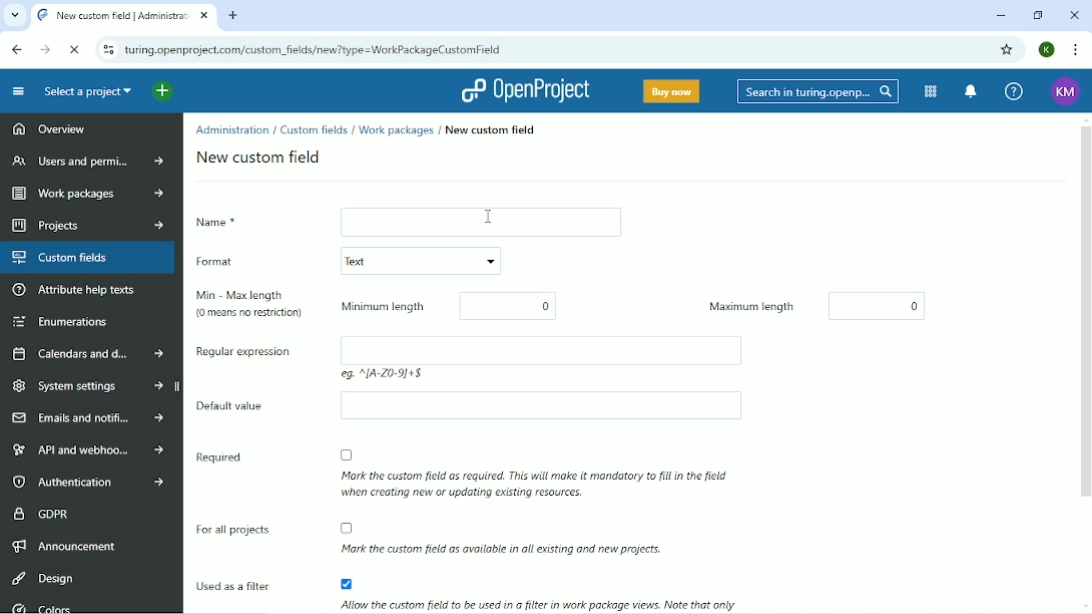  Describe the element at coordinates (43, 577) in the screenshot. I see `Design` at that location.